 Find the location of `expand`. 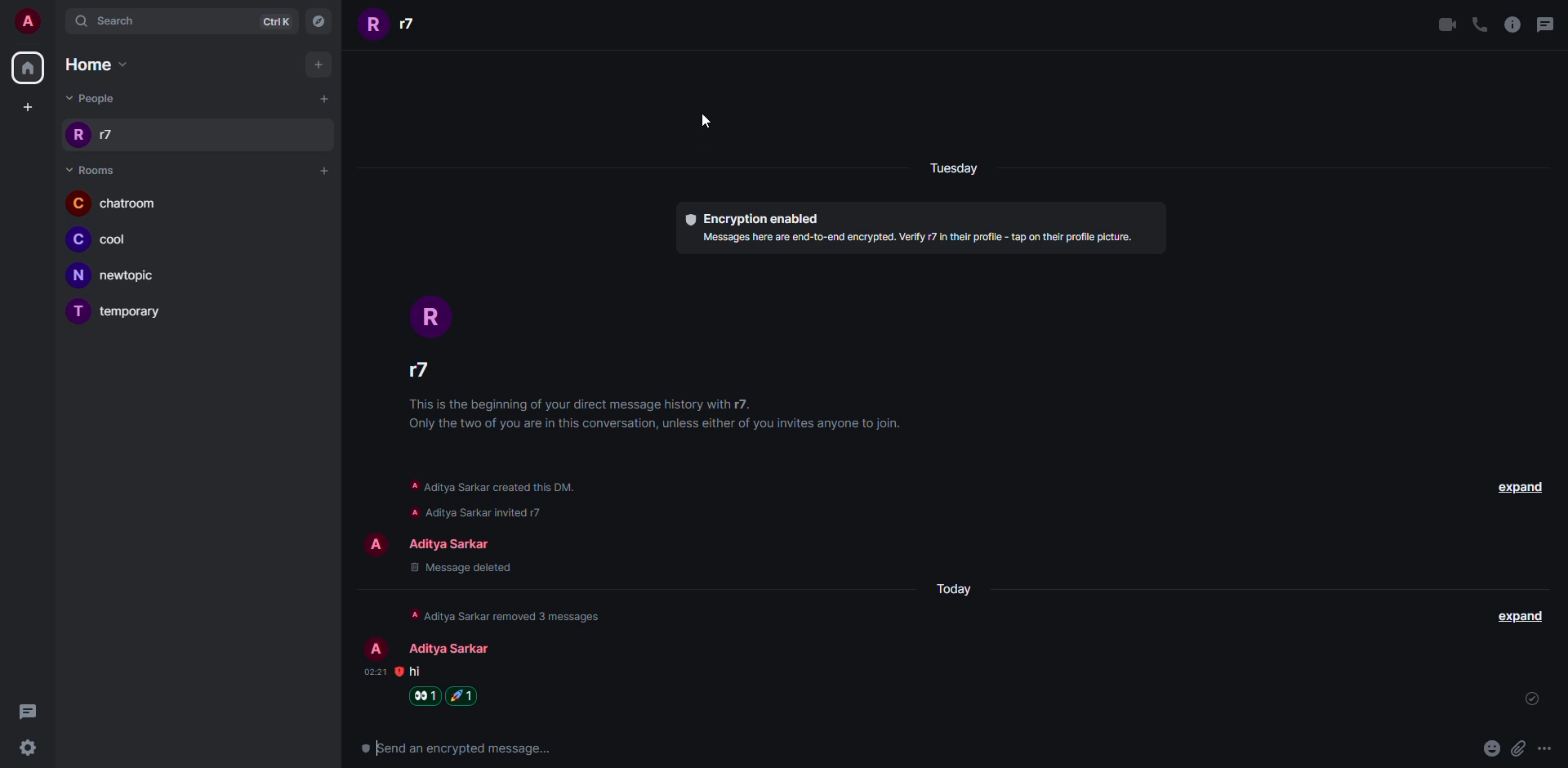

expand is located at coordinates (1521, 615).